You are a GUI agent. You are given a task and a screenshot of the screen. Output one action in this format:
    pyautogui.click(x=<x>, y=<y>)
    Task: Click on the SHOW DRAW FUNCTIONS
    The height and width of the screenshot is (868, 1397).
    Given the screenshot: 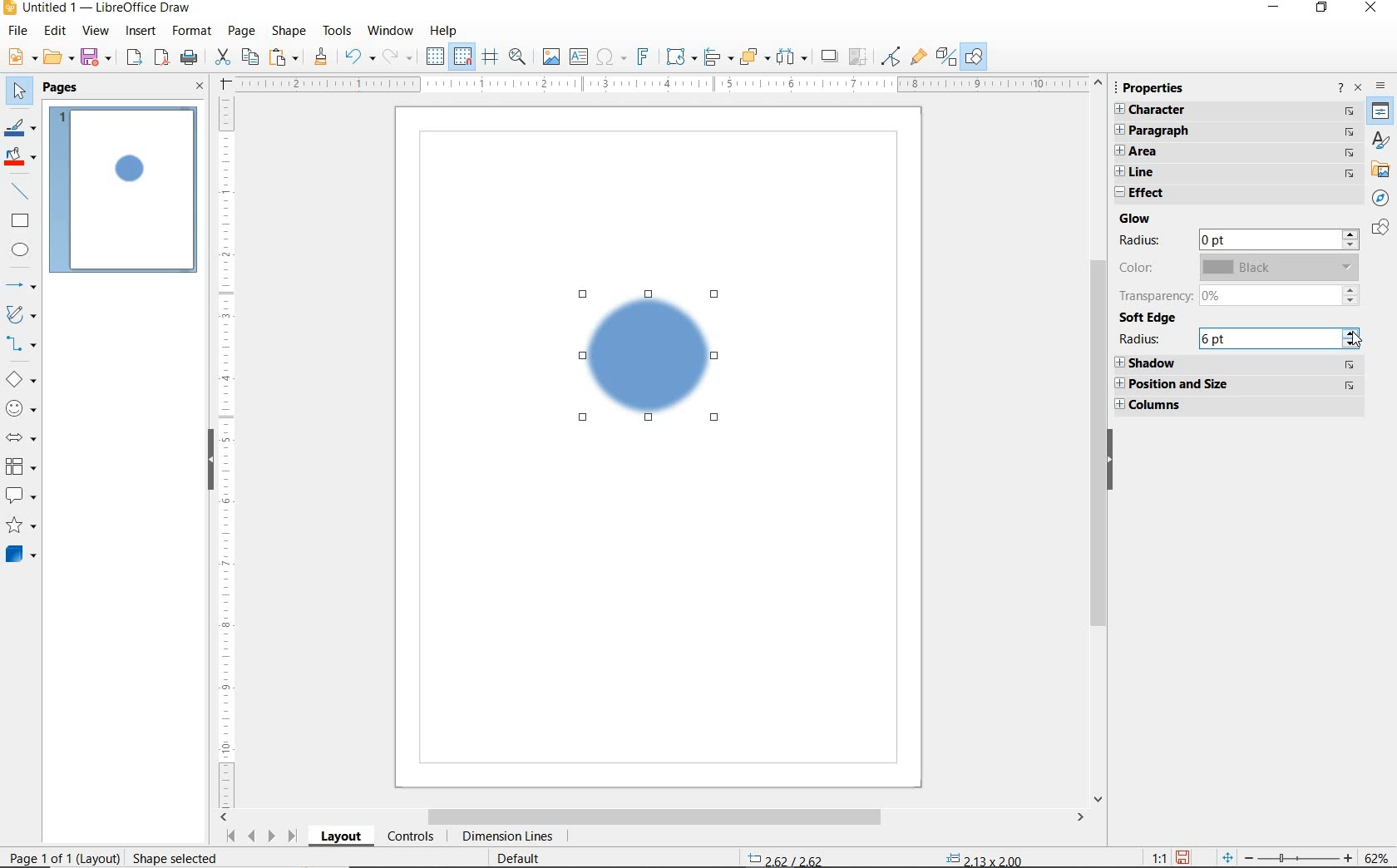 What is the action you would take?
    pyautogui.click(x=975, y=57)
    